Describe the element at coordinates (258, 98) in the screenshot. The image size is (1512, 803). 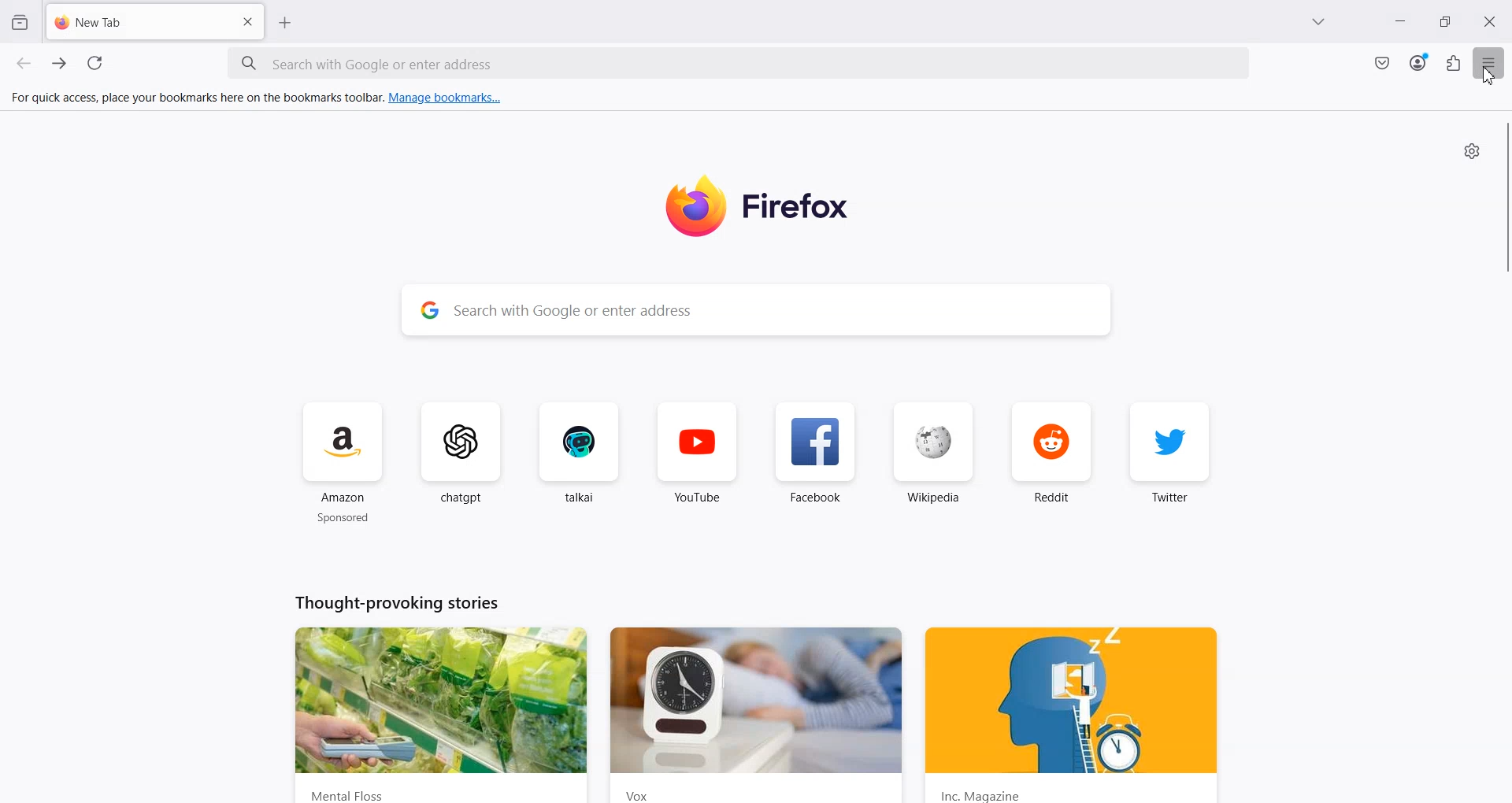
I see `For quick access, place your bookmarks here on the bookmarks toolbar. Manage bookmarks...` at that location.